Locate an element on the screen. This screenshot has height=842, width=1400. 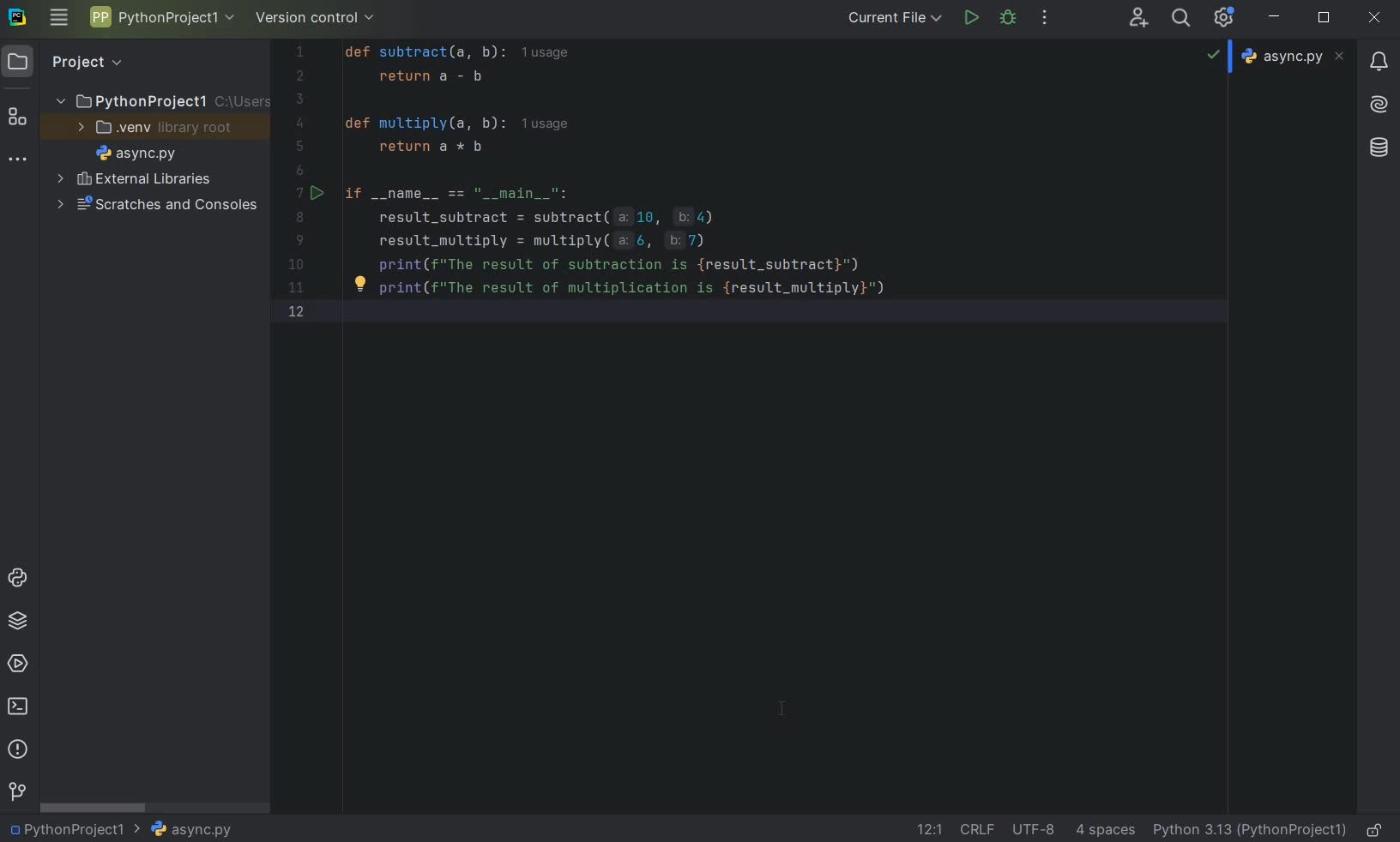
MORE ACTIONS is located at coordinates (1046, 18).